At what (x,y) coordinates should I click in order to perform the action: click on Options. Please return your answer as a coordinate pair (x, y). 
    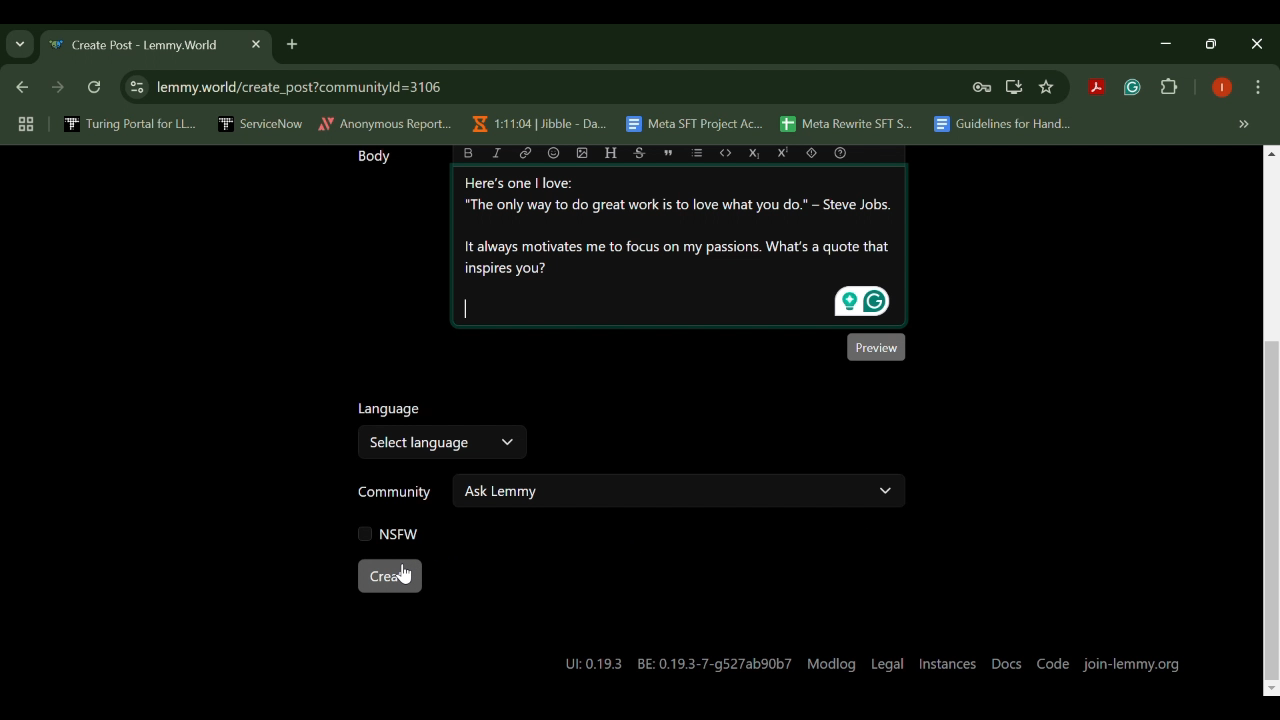
    Looking at the image, I should click on (1258, 89).